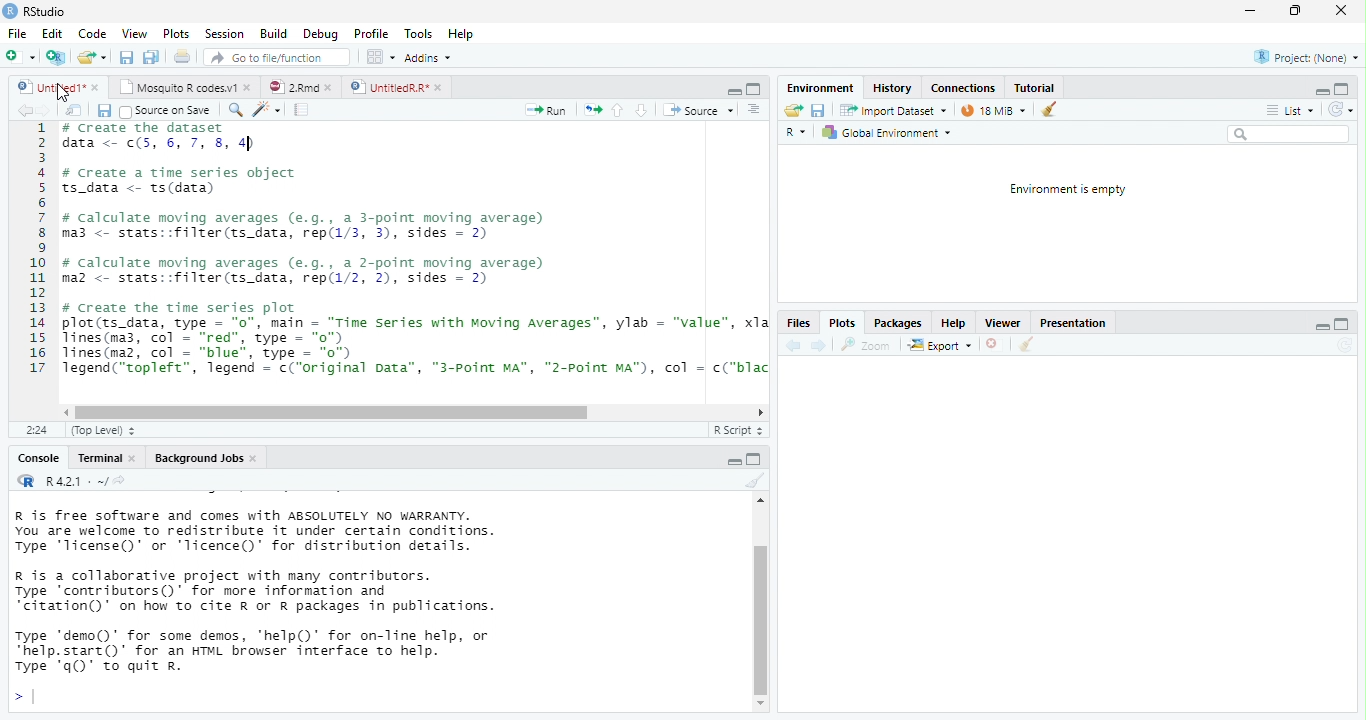 This screenshot has height=720, width=1366. Describe the element at coordinates (387, 87) in the screenshot. I see `UntitiedR.R"` at that location.